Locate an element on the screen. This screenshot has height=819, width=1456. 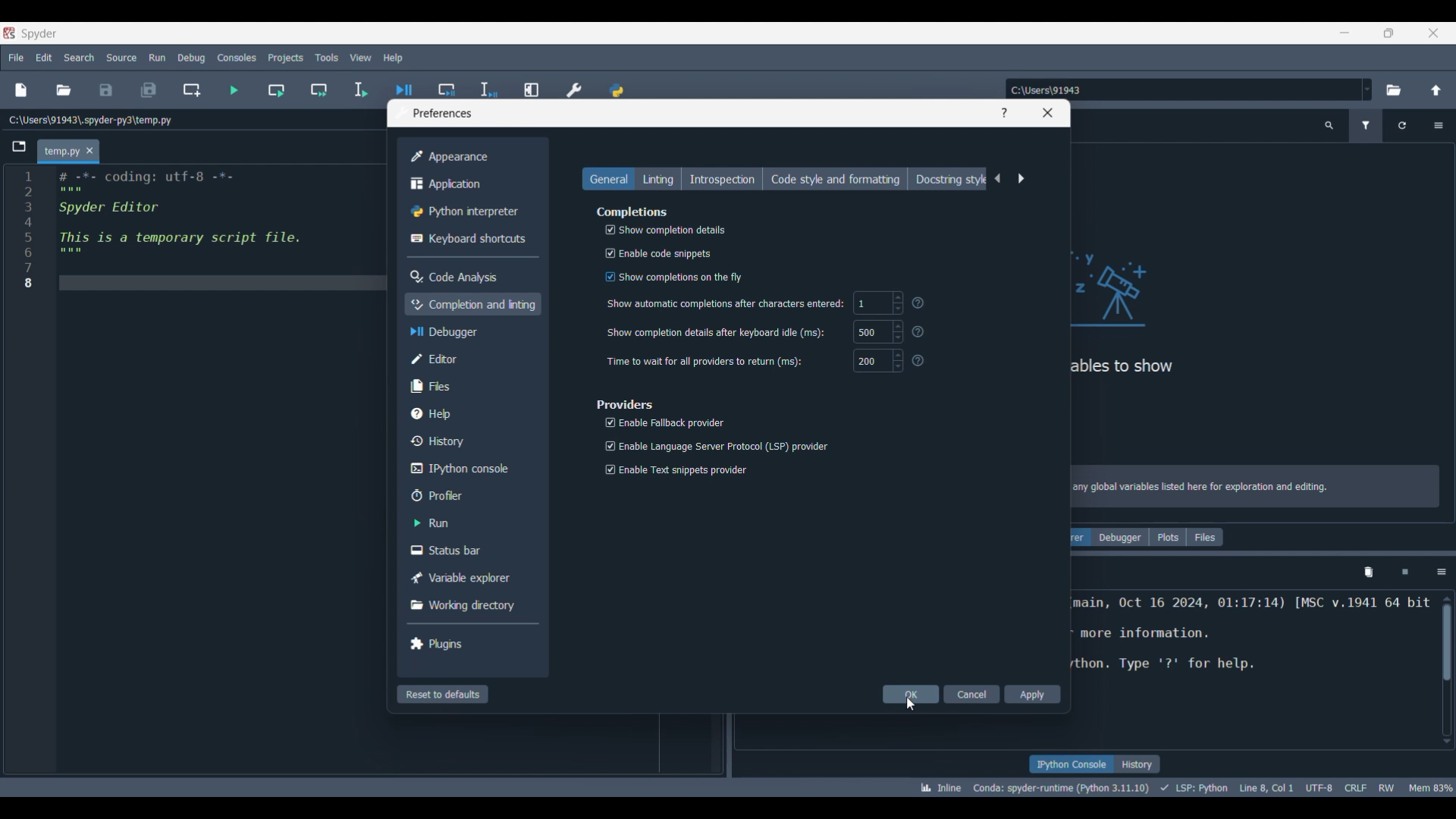
Source menu is located at coordinates (122, 58).